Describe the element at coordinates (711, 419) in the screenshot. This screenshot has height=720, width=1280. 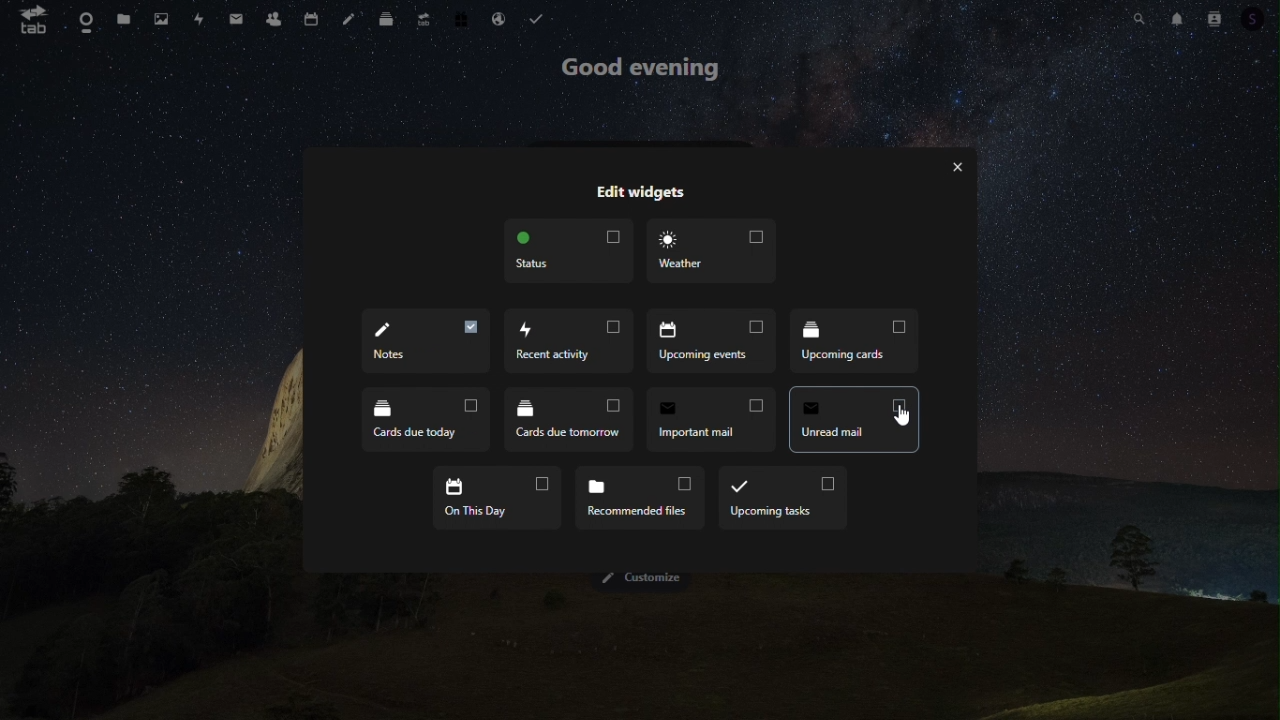
I see `unread email ` at that location.